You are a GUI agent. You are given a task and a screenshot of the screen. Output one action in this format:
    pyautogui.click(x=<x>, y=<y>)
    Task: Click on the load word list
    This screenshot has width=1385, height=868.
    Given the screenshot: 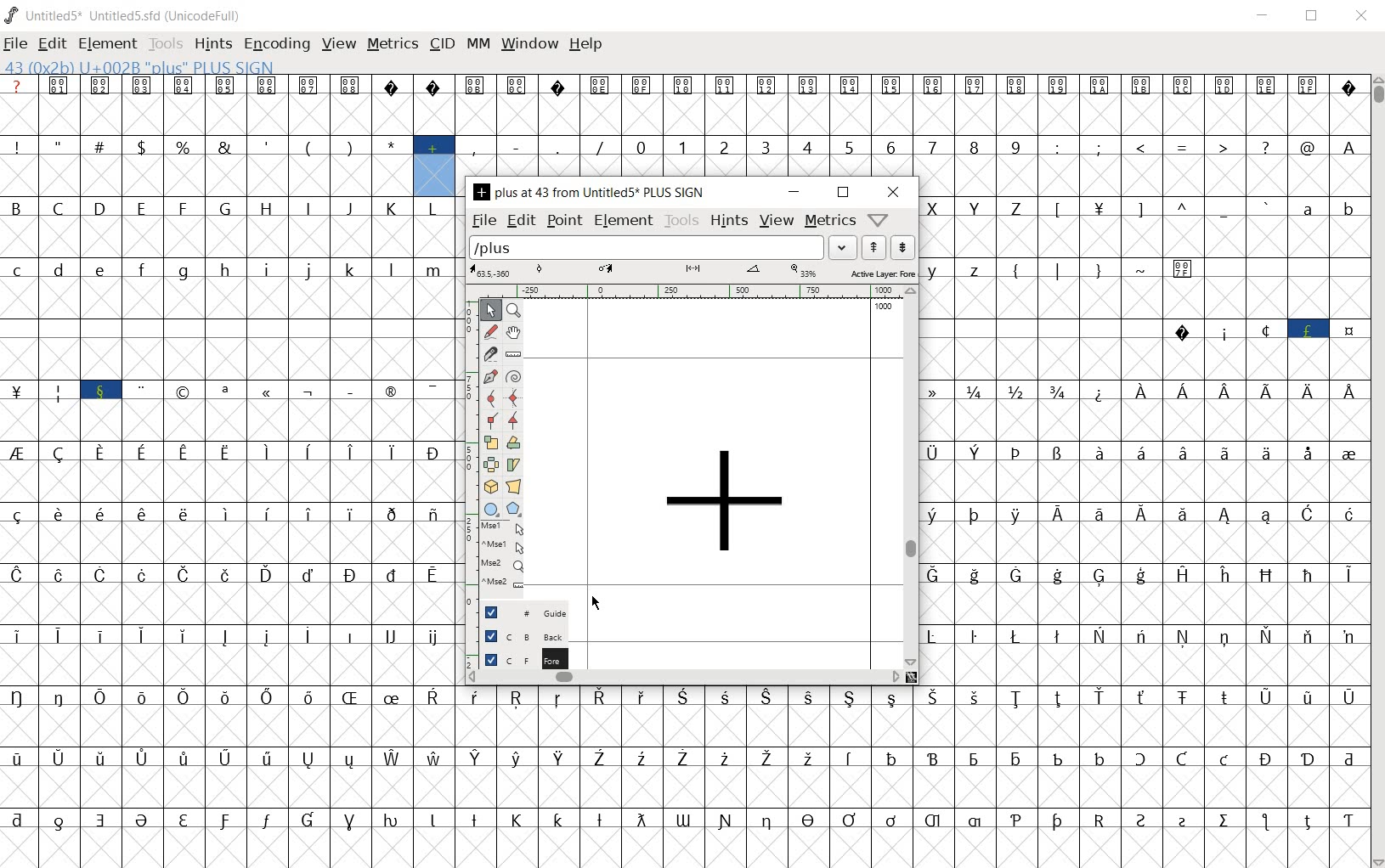 What is the action you would take?
    pyautogui.click(x=663, y=249)
    